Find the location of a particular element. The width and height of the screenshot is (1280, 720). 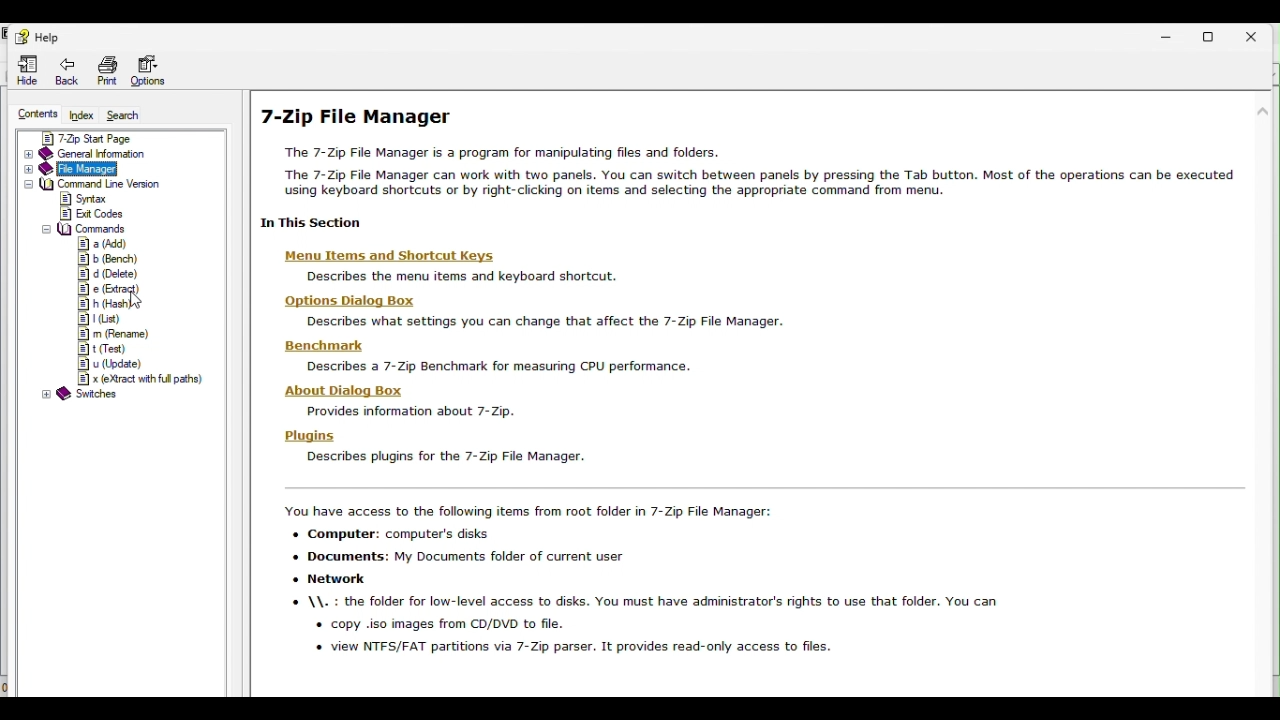

Command line version is located at coordinates (114, 184).